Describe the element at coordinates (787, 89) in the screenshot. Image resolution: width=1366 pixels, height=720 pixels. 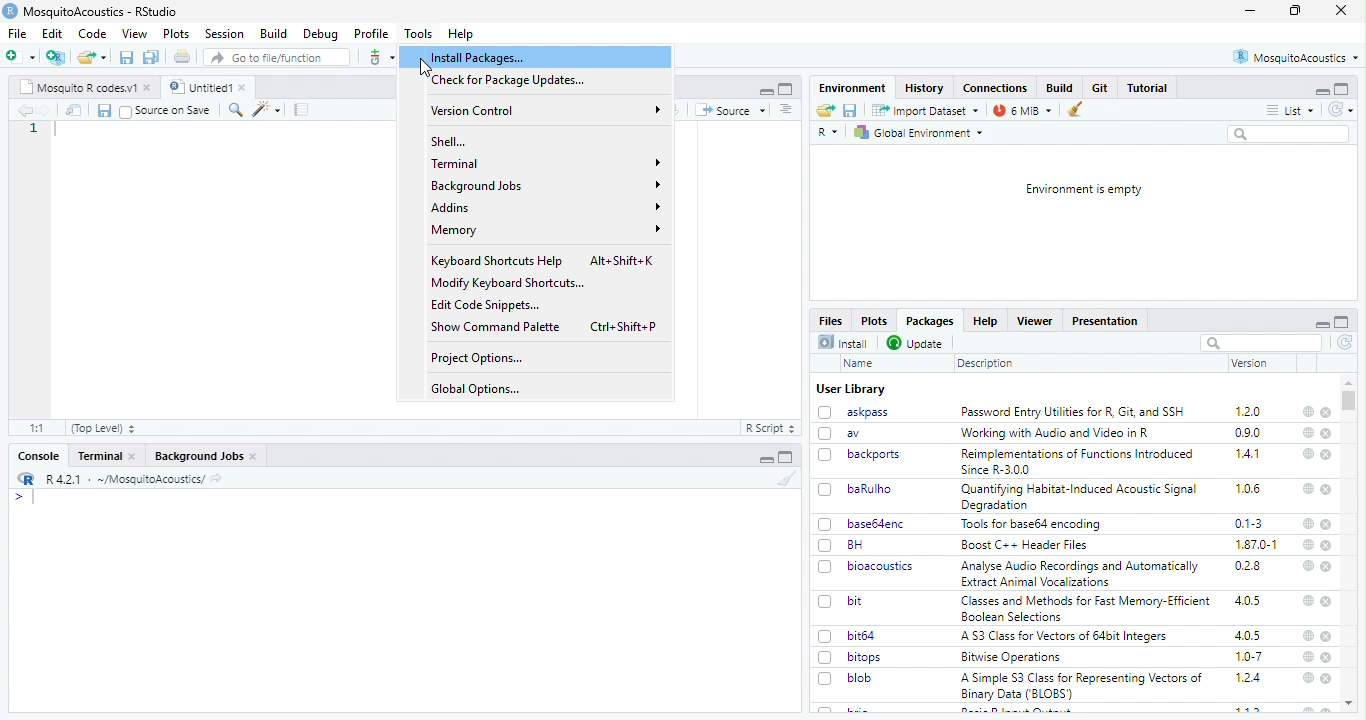
I see `maiximize` at that location.